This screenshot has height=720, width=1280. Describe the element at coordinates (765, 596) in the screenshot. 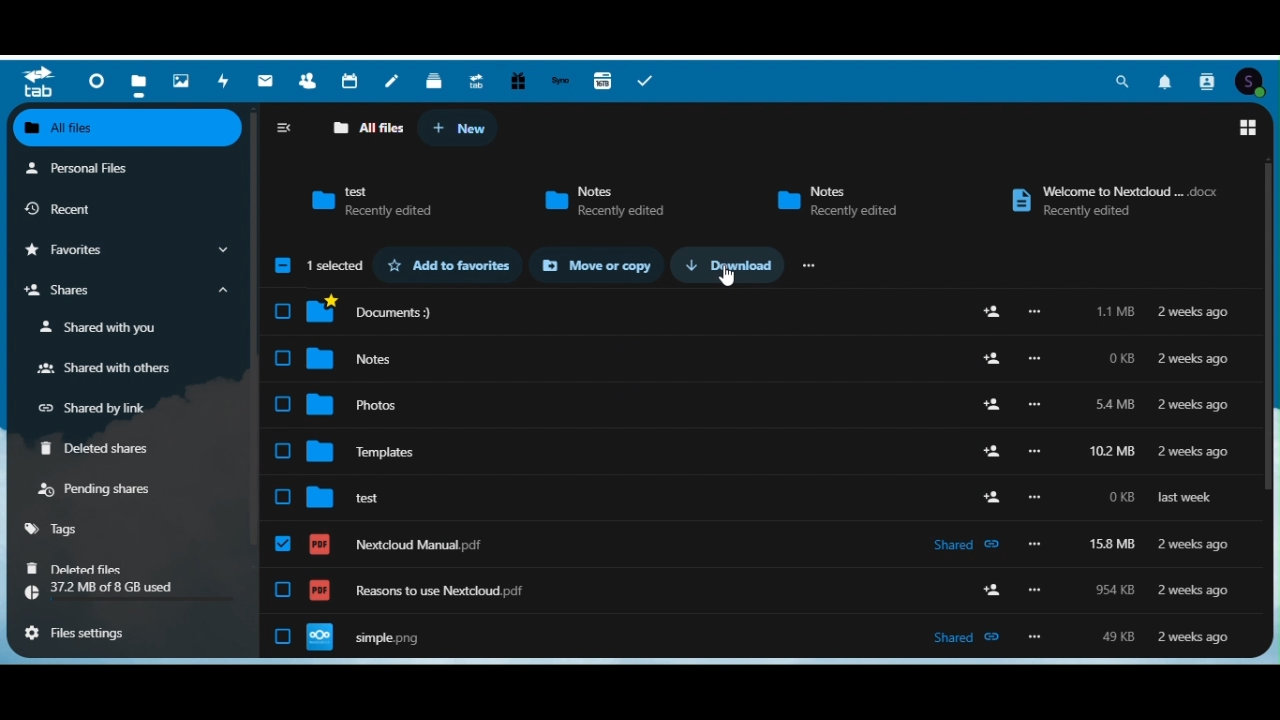

I see `reasons to use next cloud.pdf` at that location.